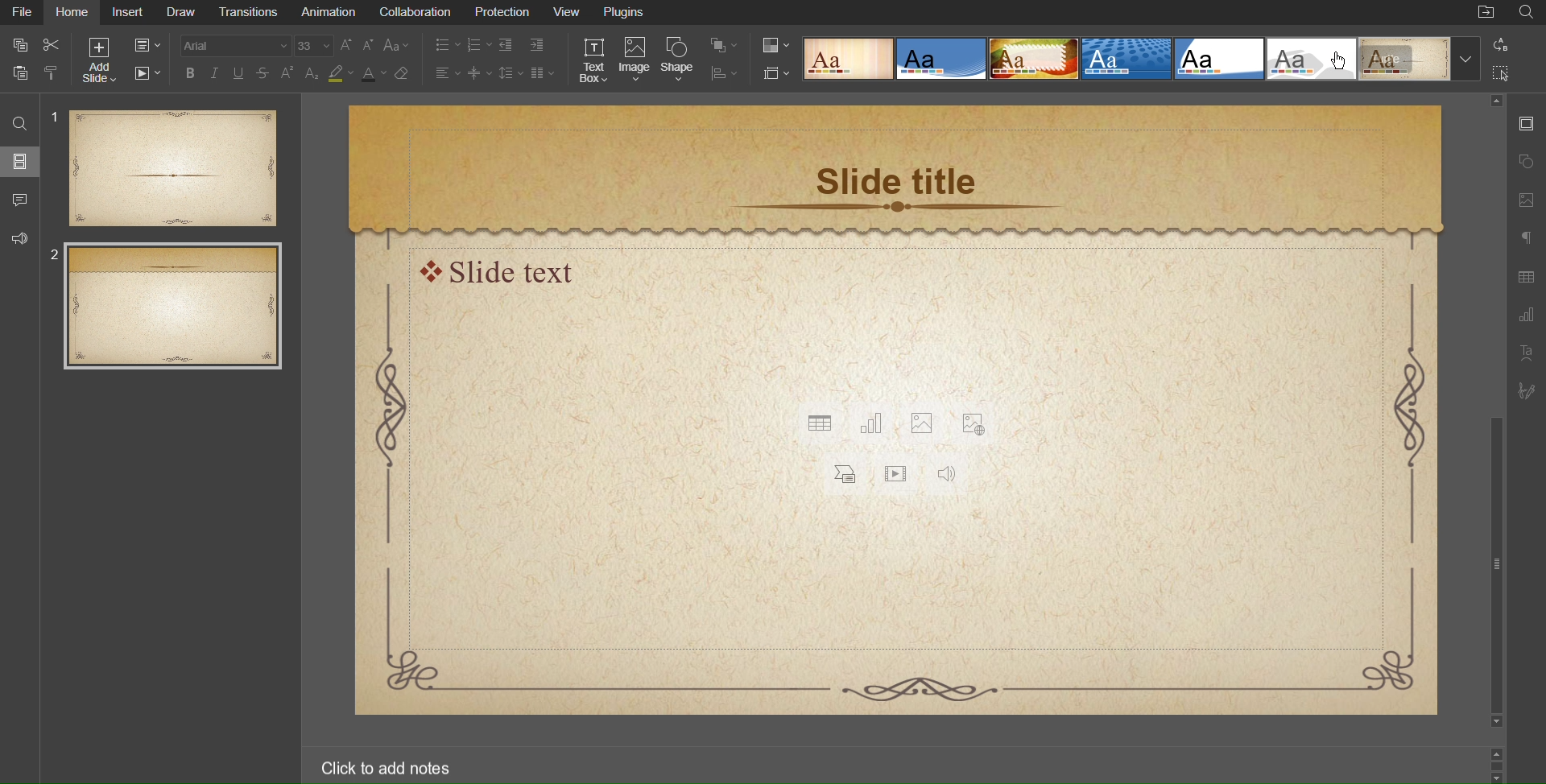 The image size is (1546, 784). Describe the element at coordinates (482, 73) in the screenshot. I see `Vertical Alignment` at that location.